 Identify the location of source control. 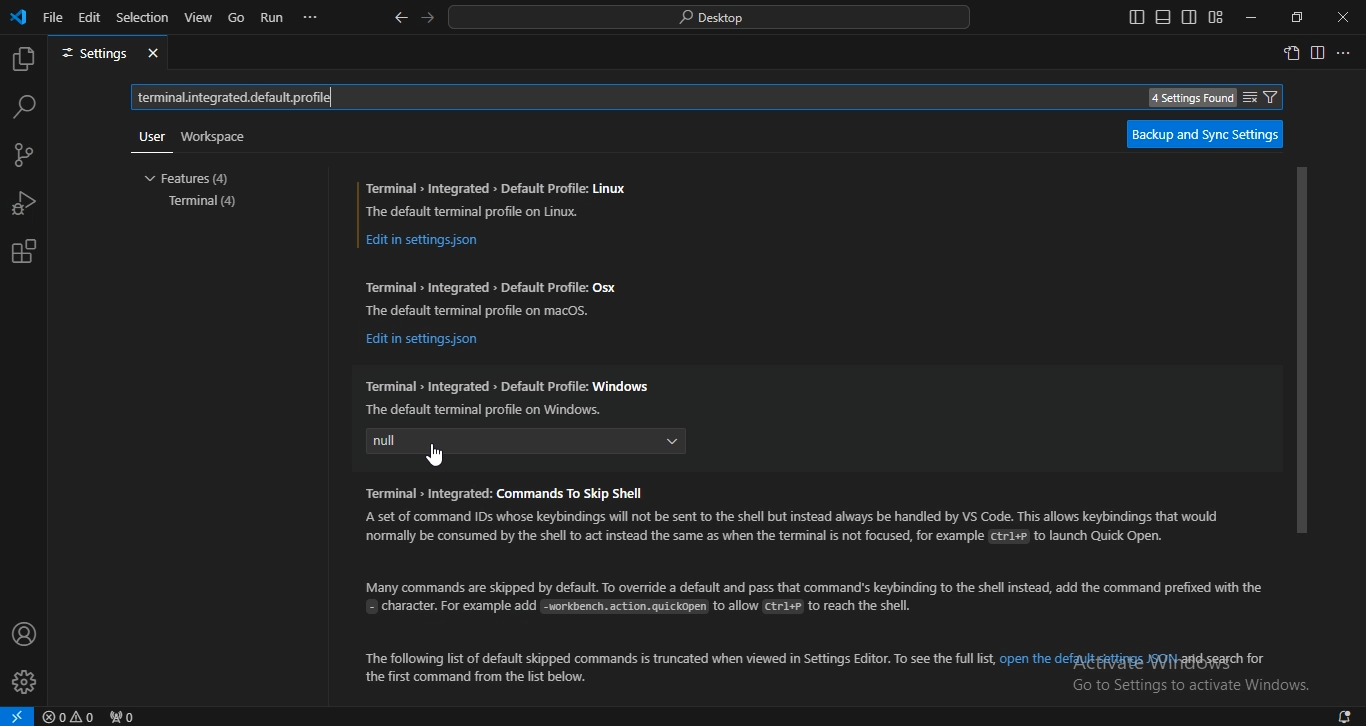
(24, 157).